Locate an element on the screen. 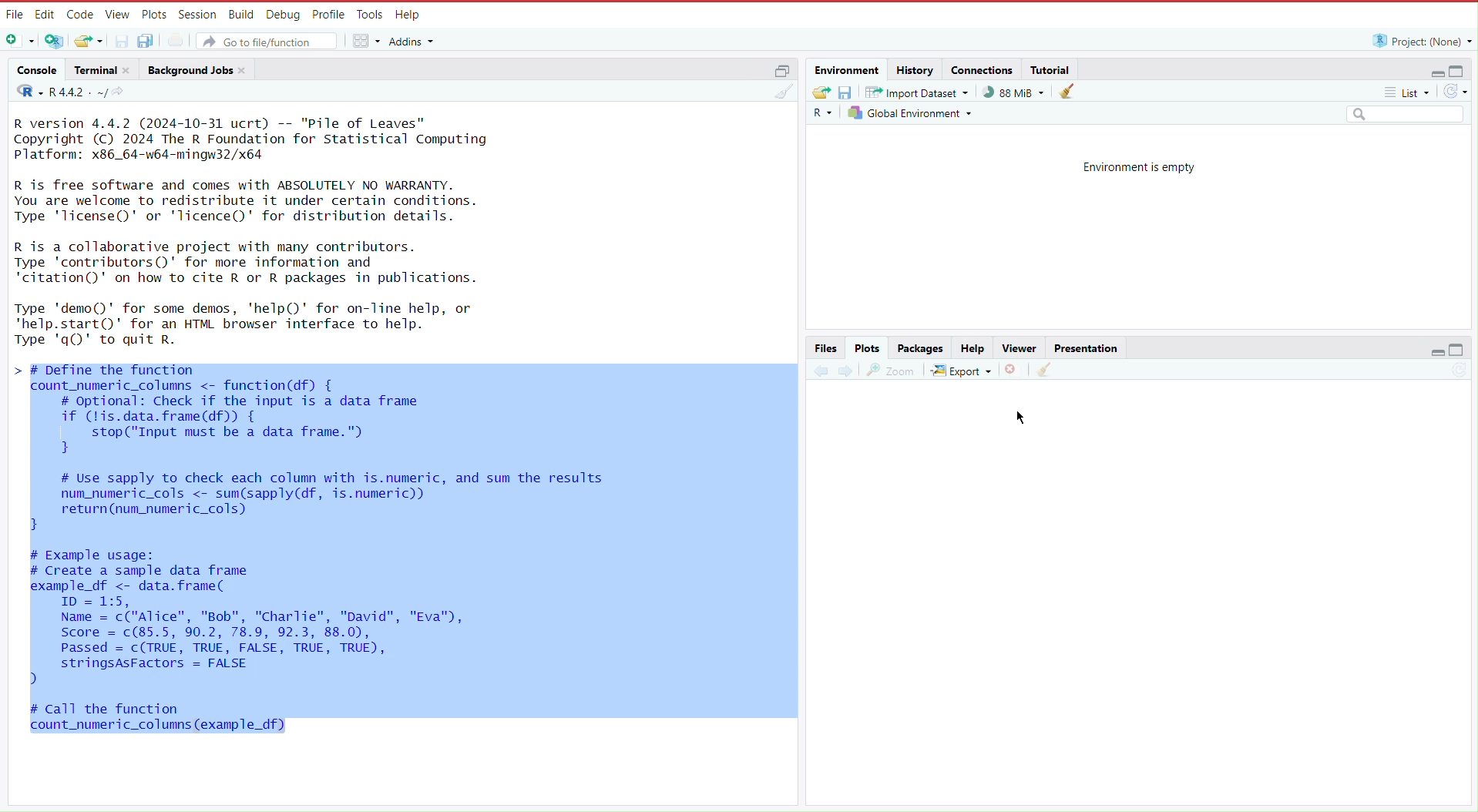 The width and height of the screenshot is (1478, 812). New File is located at coordinates (22, 42).